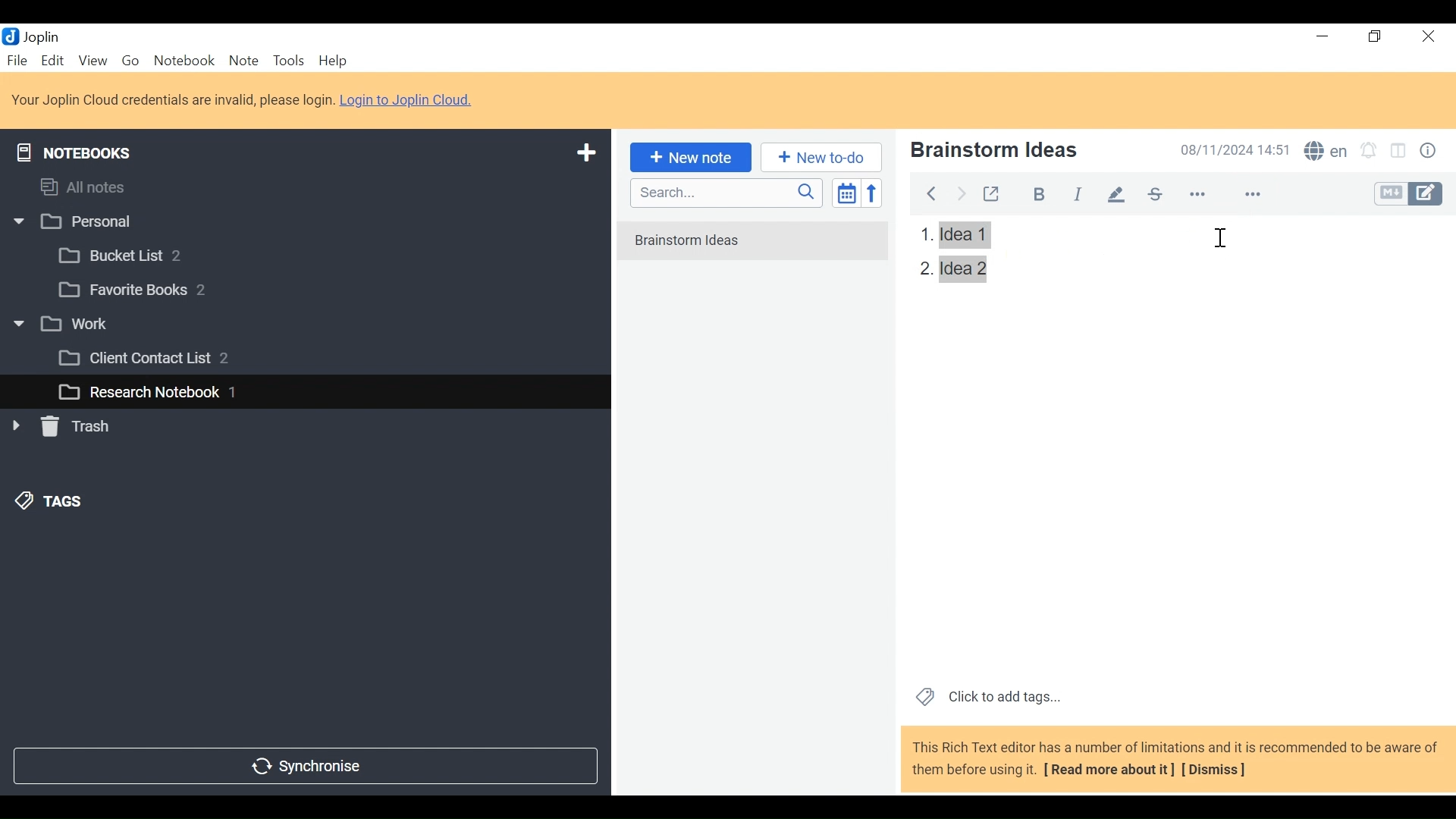 The width and height of the screenshot is (1456, 819). What do you see at coordinates (985, 695) in the screenshot?
I see `Click to add tags` at bounding box center [985, 695].